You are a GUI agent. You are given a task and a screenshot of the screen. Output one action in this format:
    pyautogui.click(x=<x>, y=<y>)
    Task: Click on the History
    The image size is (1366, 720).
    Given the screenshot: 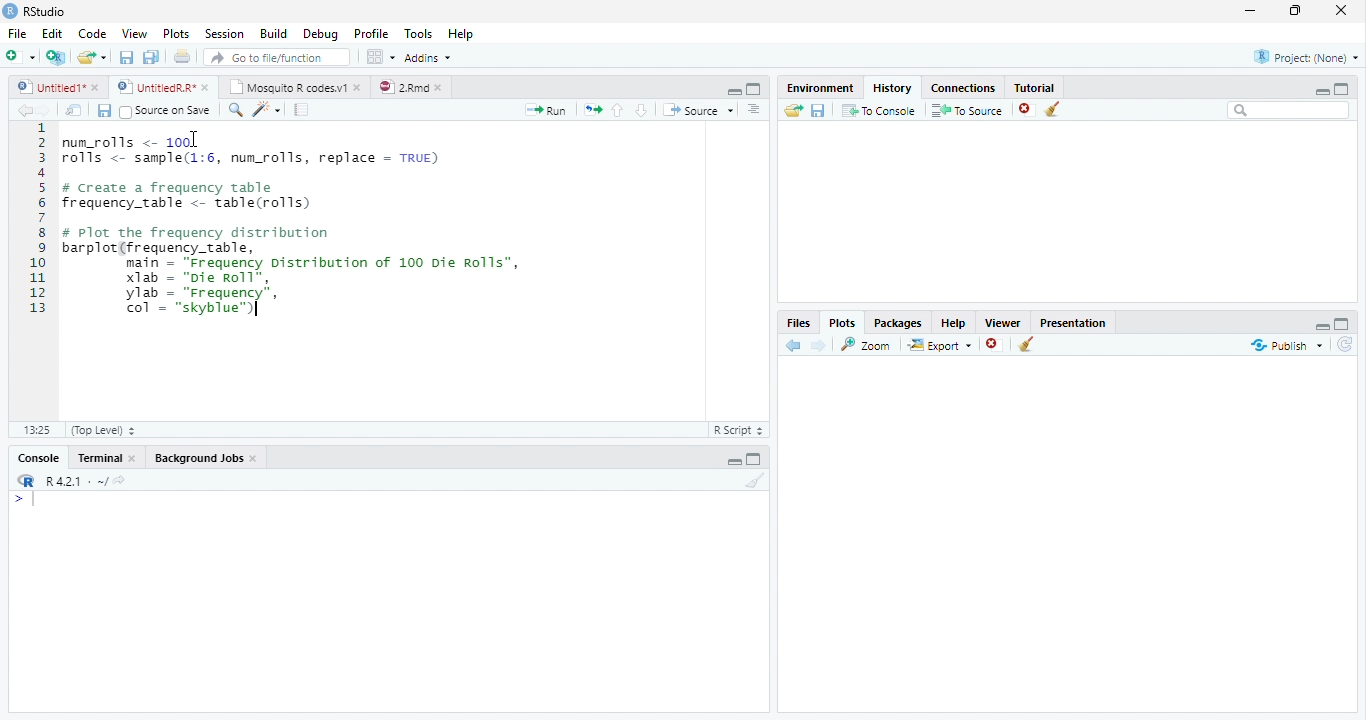 What is the action you would take?
    pyautogui.click(x=893, y=86)
    